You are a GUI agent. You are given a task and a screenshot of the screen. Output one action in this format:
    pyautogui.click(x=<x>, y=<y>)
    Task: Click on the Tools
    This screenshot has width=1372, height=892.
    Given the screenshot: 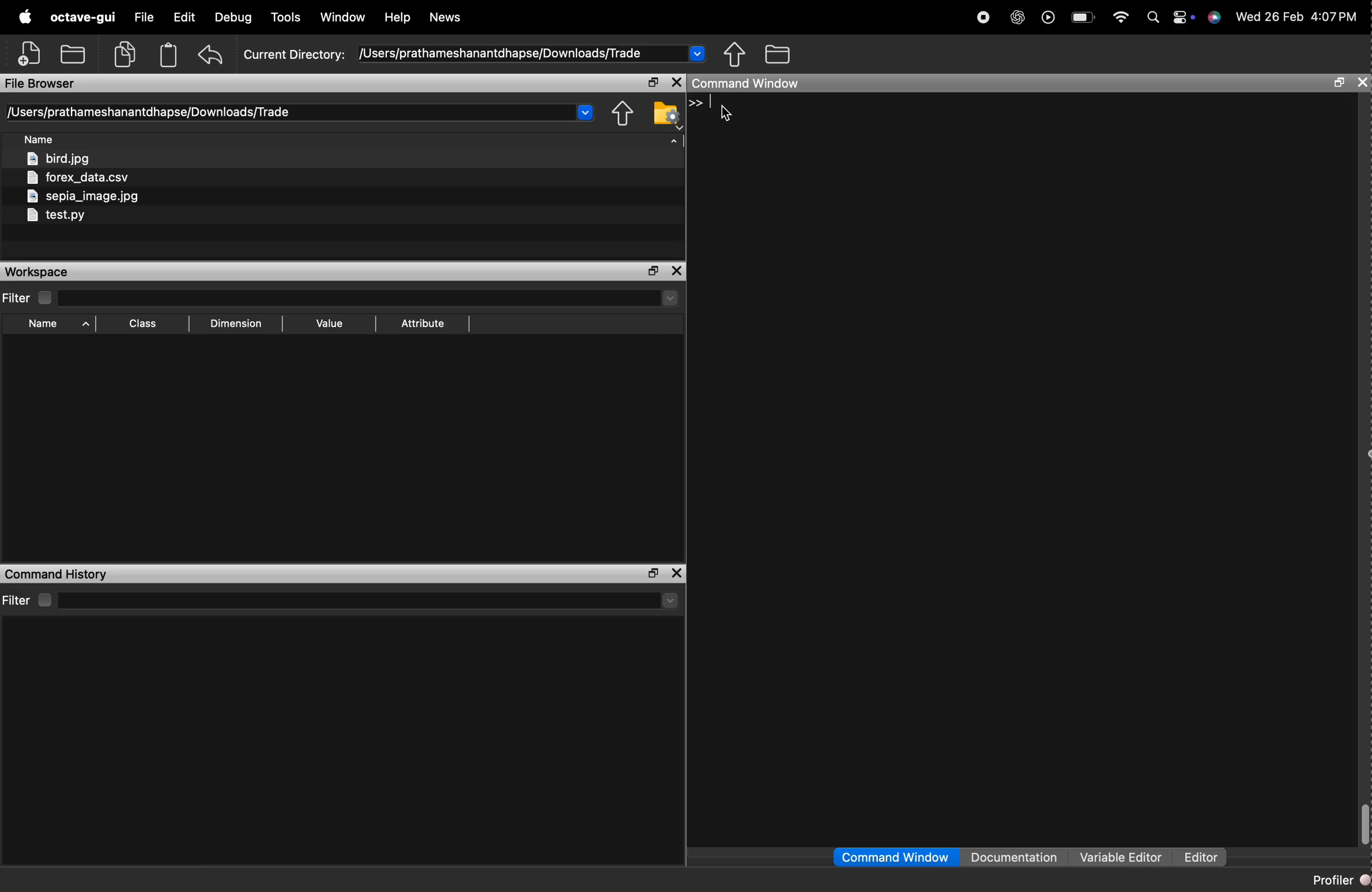 What is the action you would take?
    pyautogui.click(x=287, y=18)
    